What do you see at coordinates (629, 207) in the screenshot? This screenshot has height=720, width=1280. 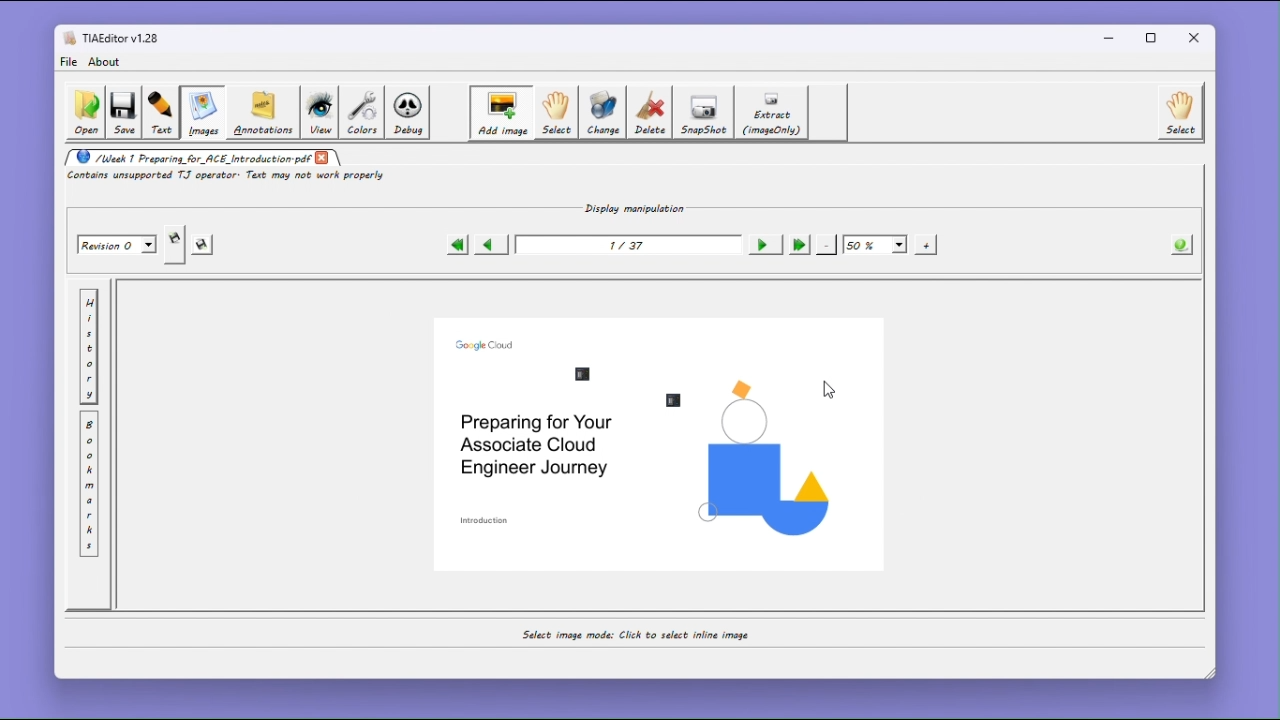 I see `Display manipulation` at bounding box center [629, 207].